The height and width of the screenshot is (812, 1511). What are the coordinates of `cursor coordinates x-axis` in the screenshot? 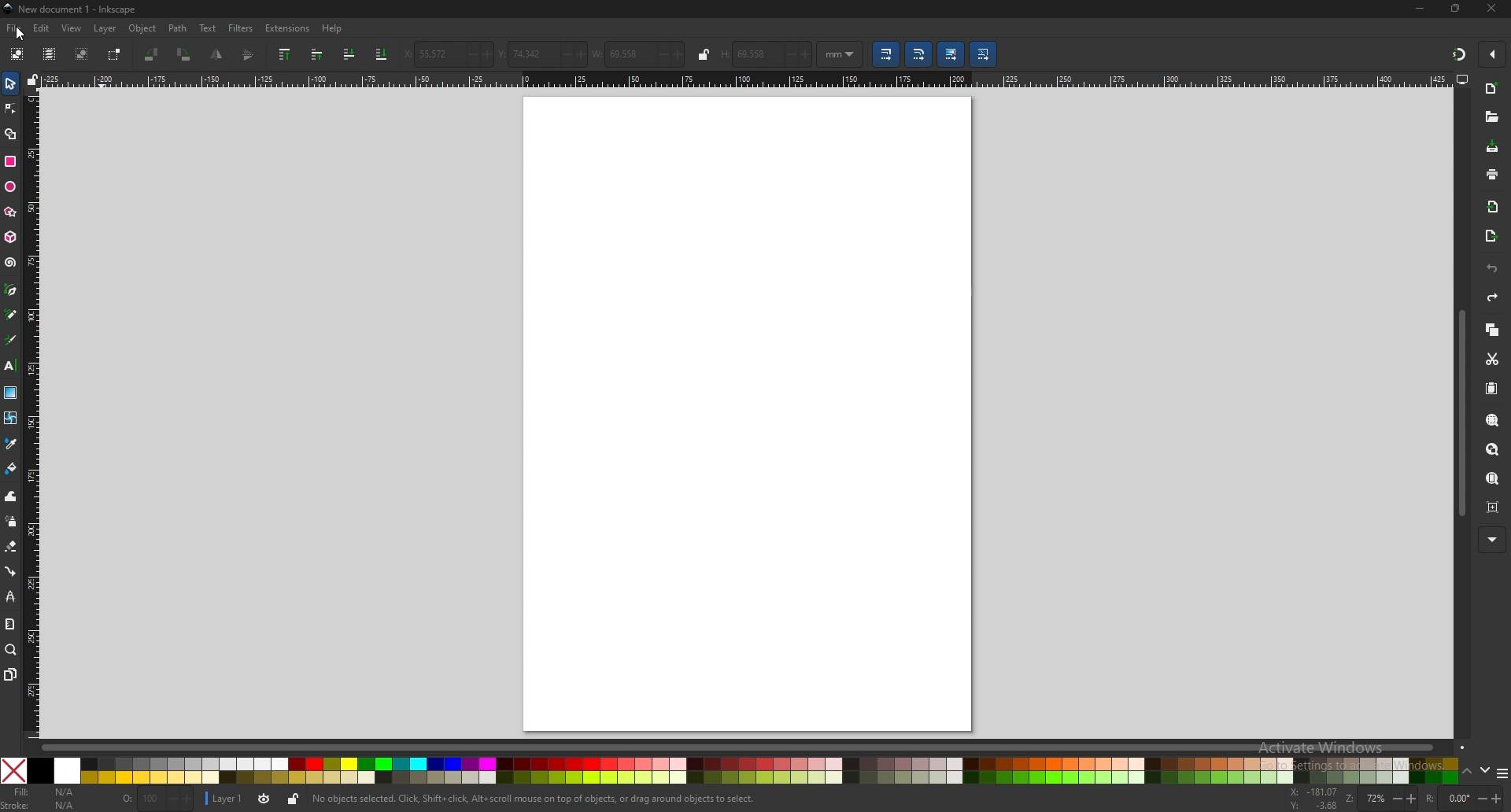 It's located at (1313, 793).